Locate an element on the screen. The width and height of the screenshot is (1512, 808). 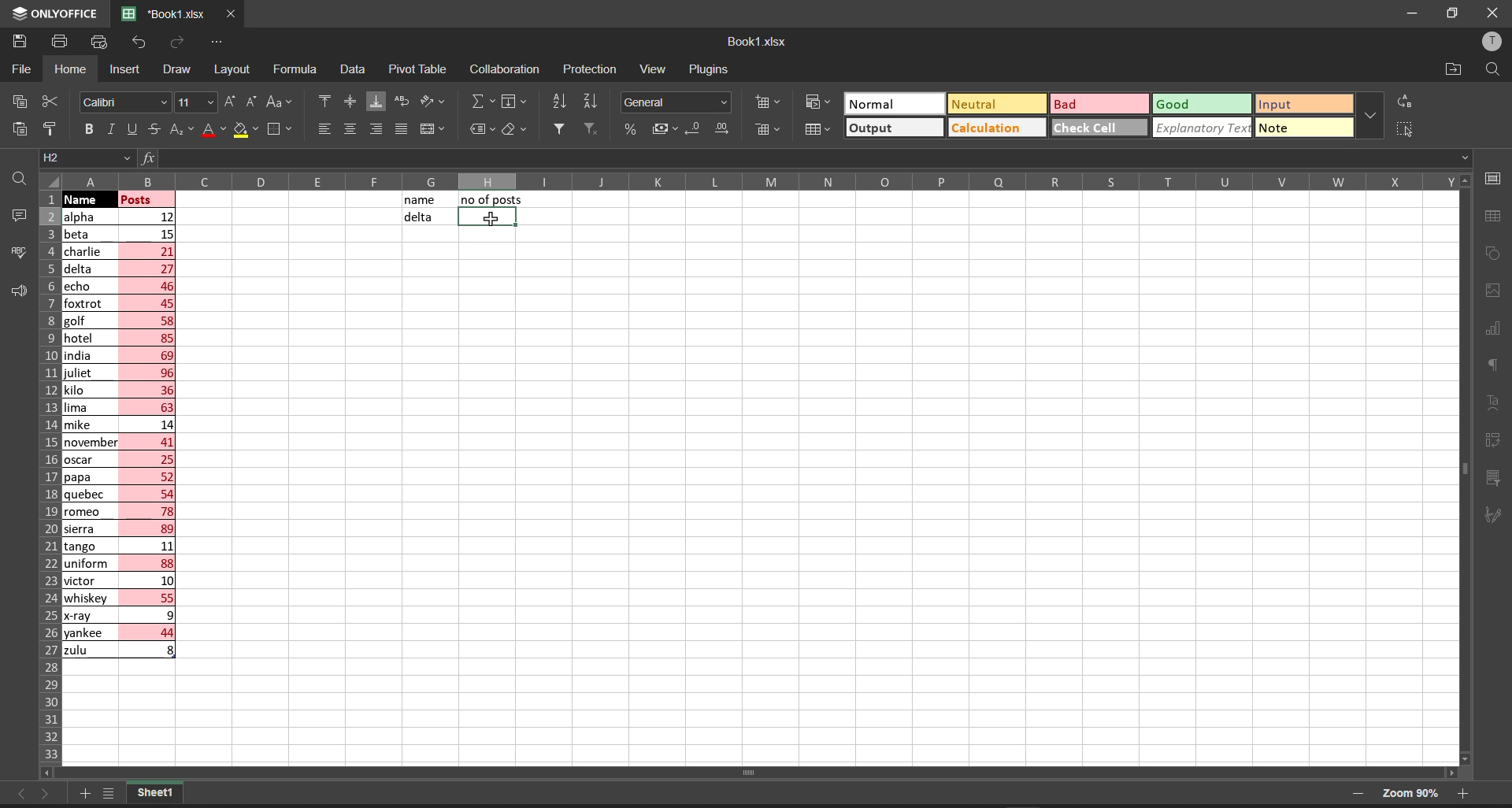
Good is located at coordinates (1175, 103).